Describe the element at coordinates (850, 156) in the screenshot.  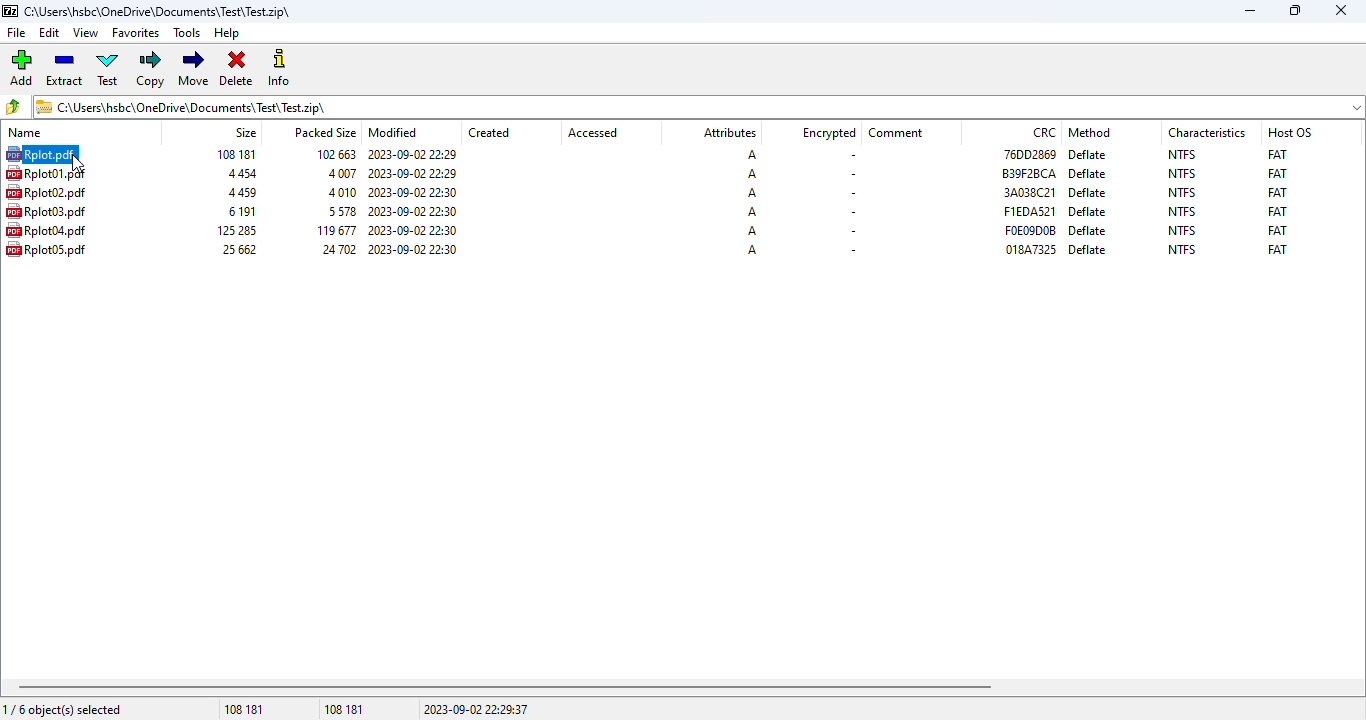
I see `-` at that location.